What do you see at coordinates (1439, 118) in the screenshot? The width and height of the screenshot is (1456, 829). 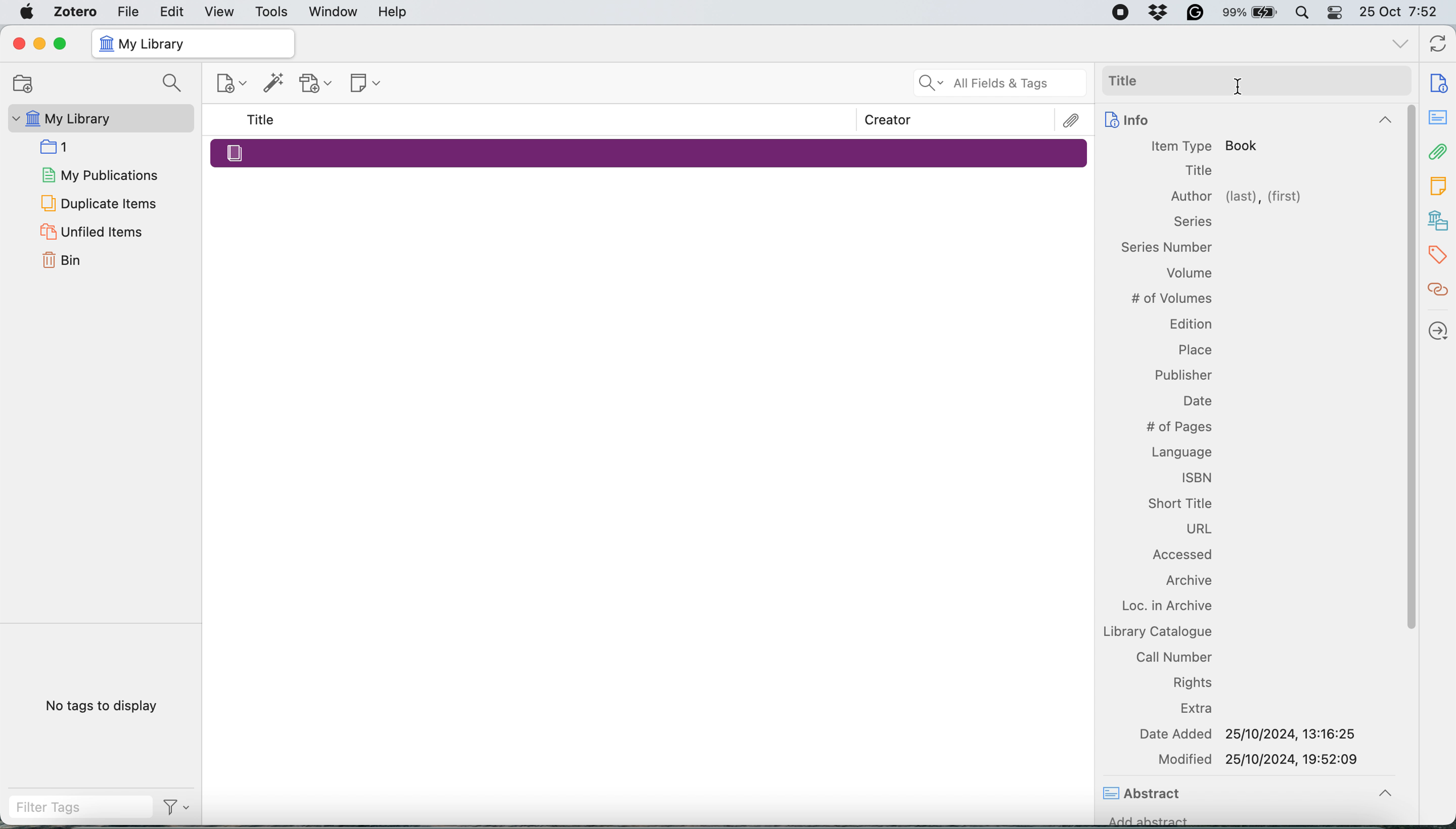 I see `notes` at bounding box center [1439, 118].